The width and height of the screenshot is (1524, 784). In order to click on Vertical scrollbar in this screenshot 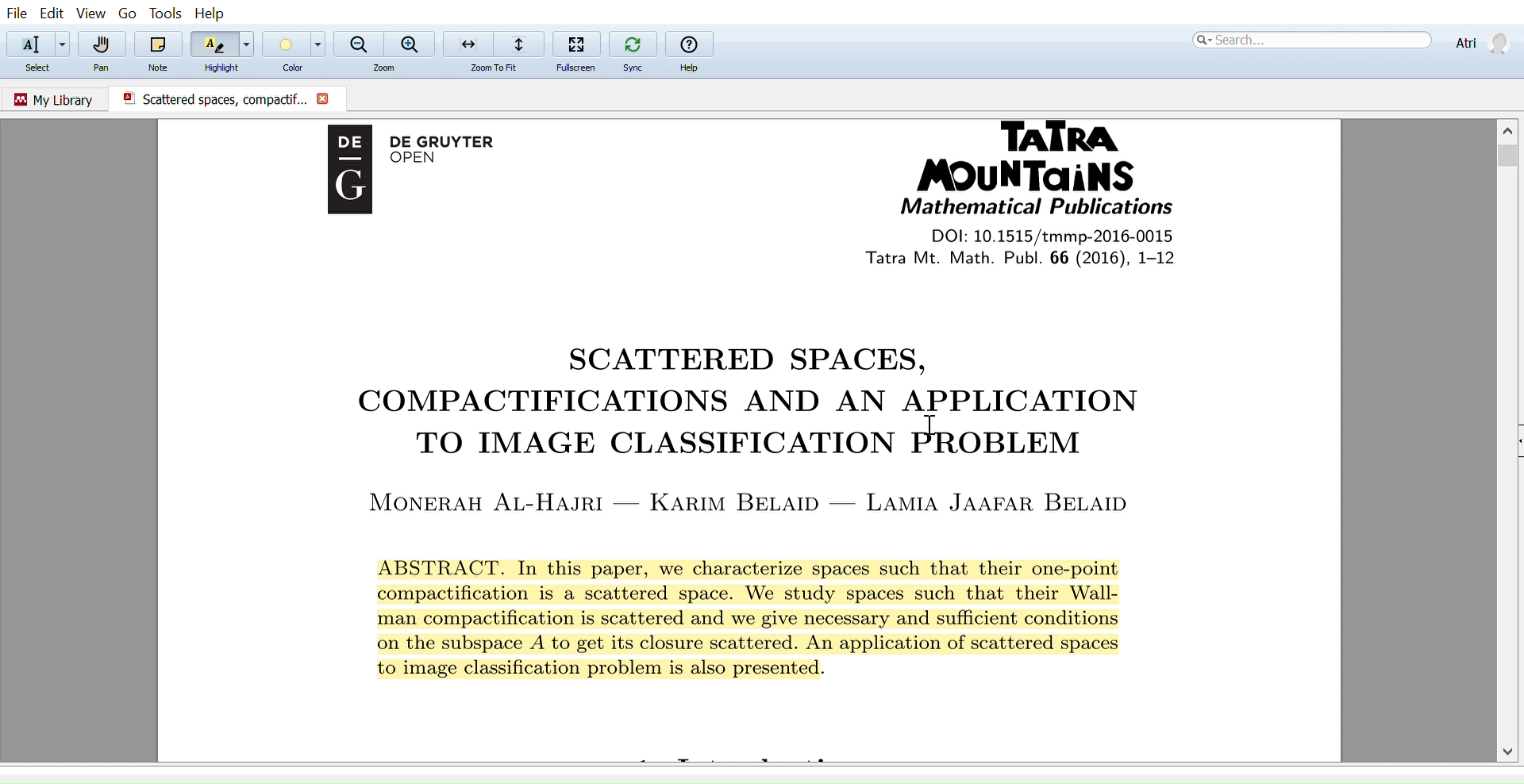, I will do `click(1510, 158)`.